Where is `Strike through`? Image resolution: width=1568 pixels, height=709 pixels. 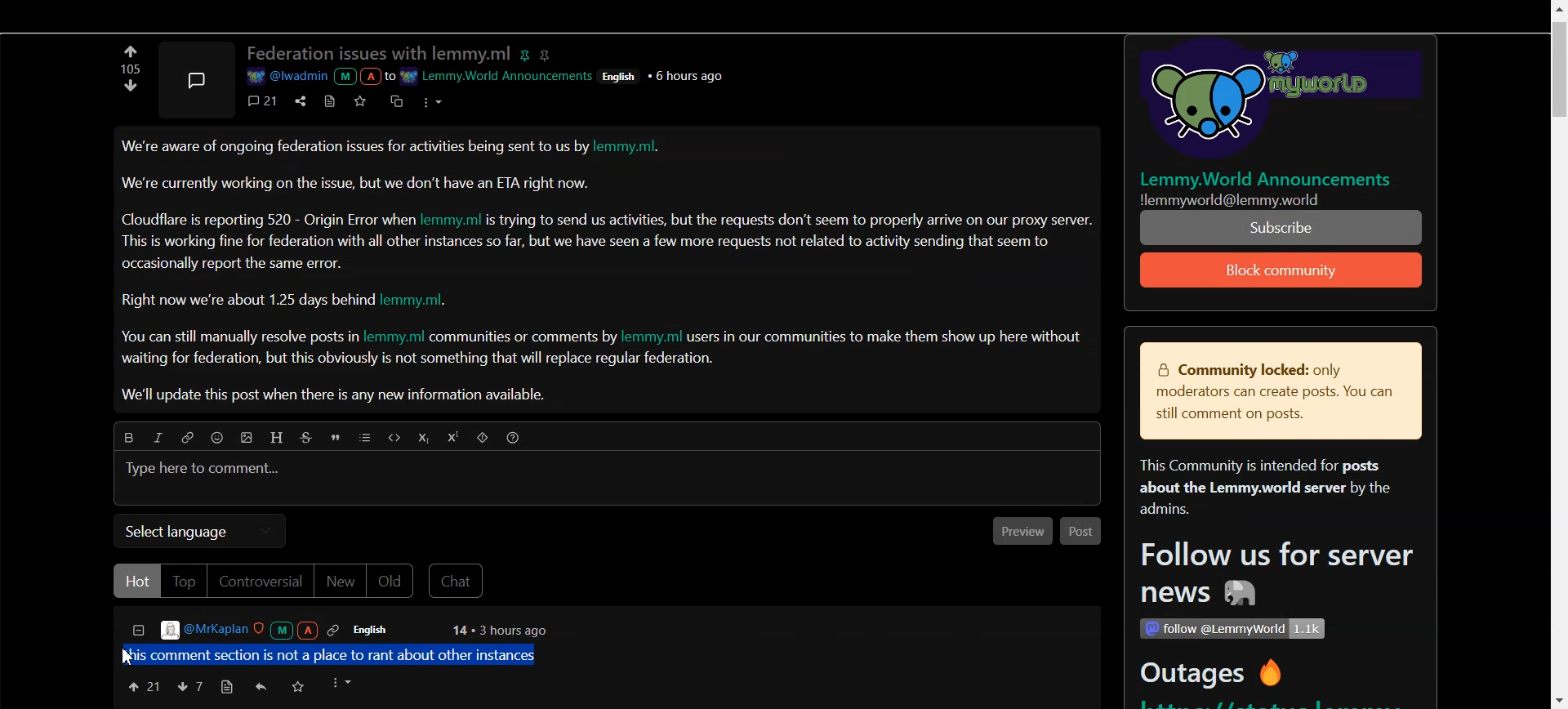
Strike through is located at coordinates (309, 438).